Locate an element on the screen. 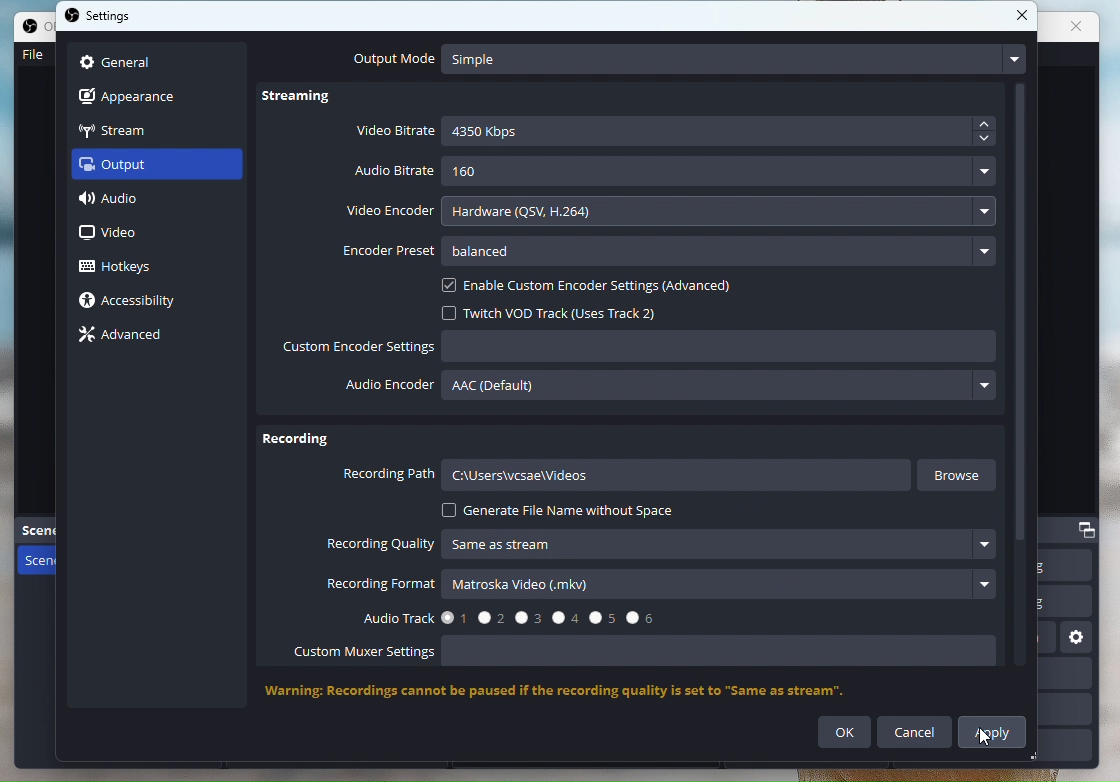 Image resolution: width=1120 pixels, height=782 pixels. Accessibility is located at coordinates (138, 302).